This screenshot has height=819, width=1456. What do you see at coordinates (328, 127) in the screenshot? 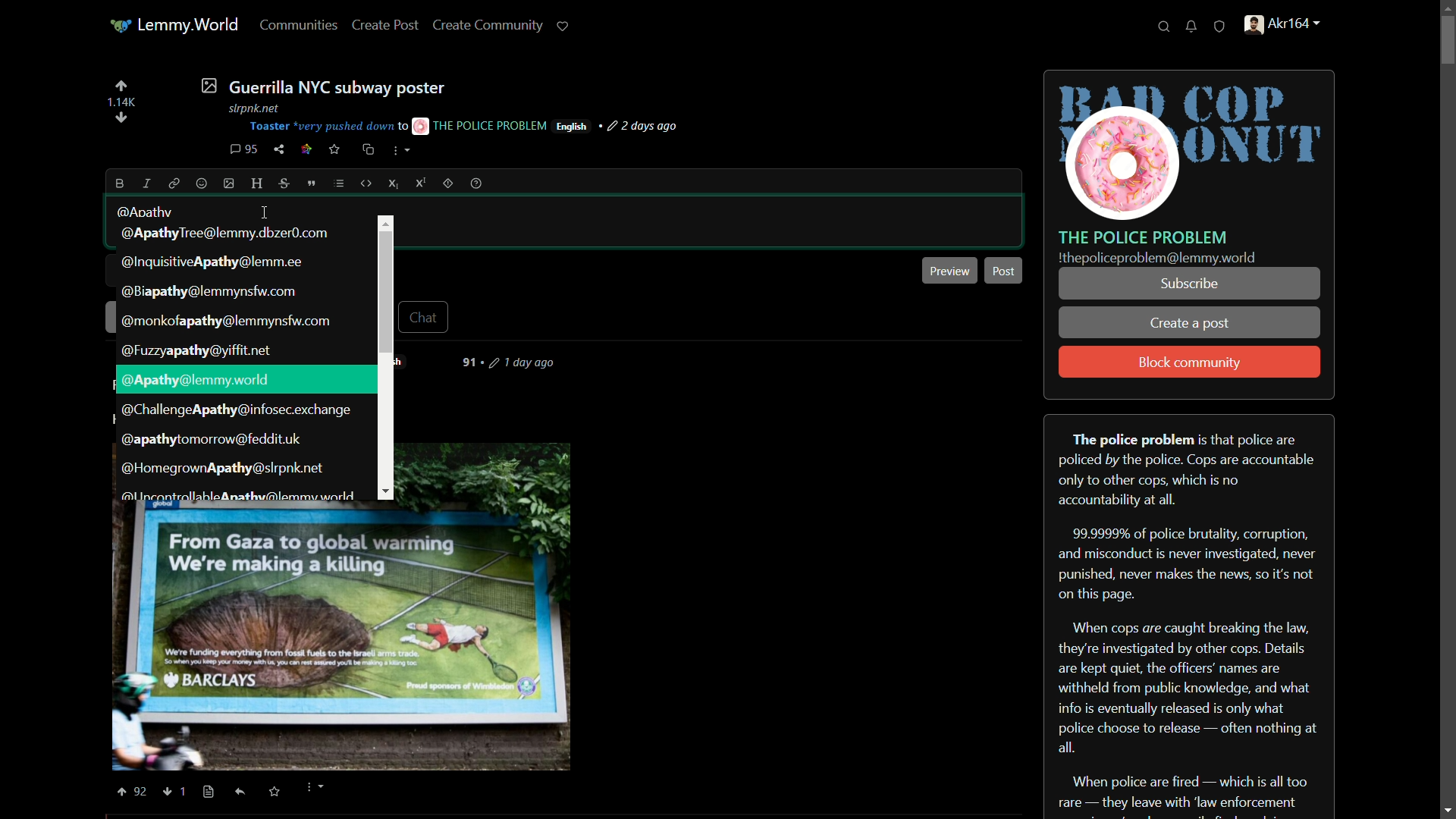
I see `Toaster "very pushed down t0` at bounding box center [328, 127].